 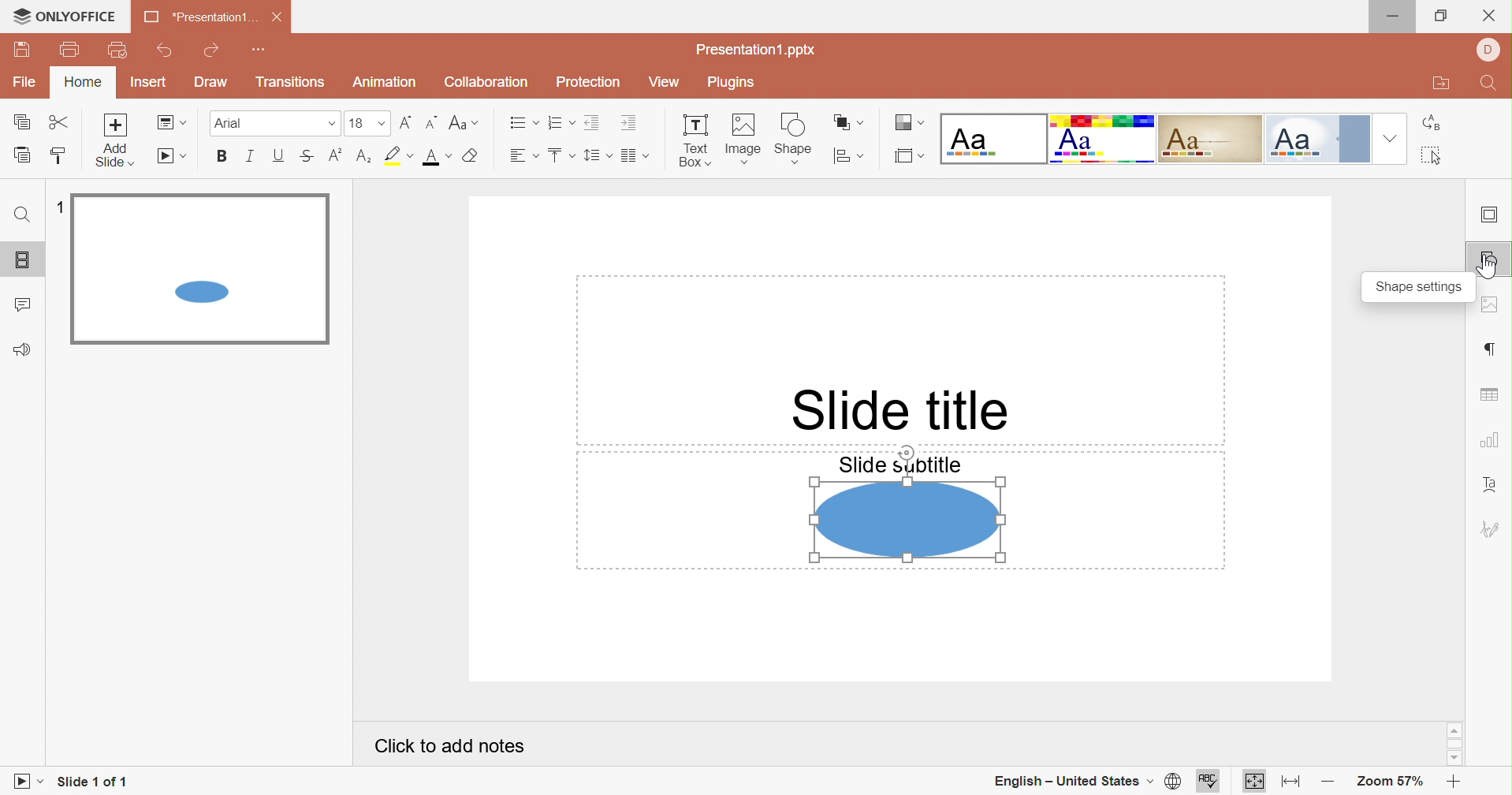 I want to click on Draw, so click(x=212, y=82).